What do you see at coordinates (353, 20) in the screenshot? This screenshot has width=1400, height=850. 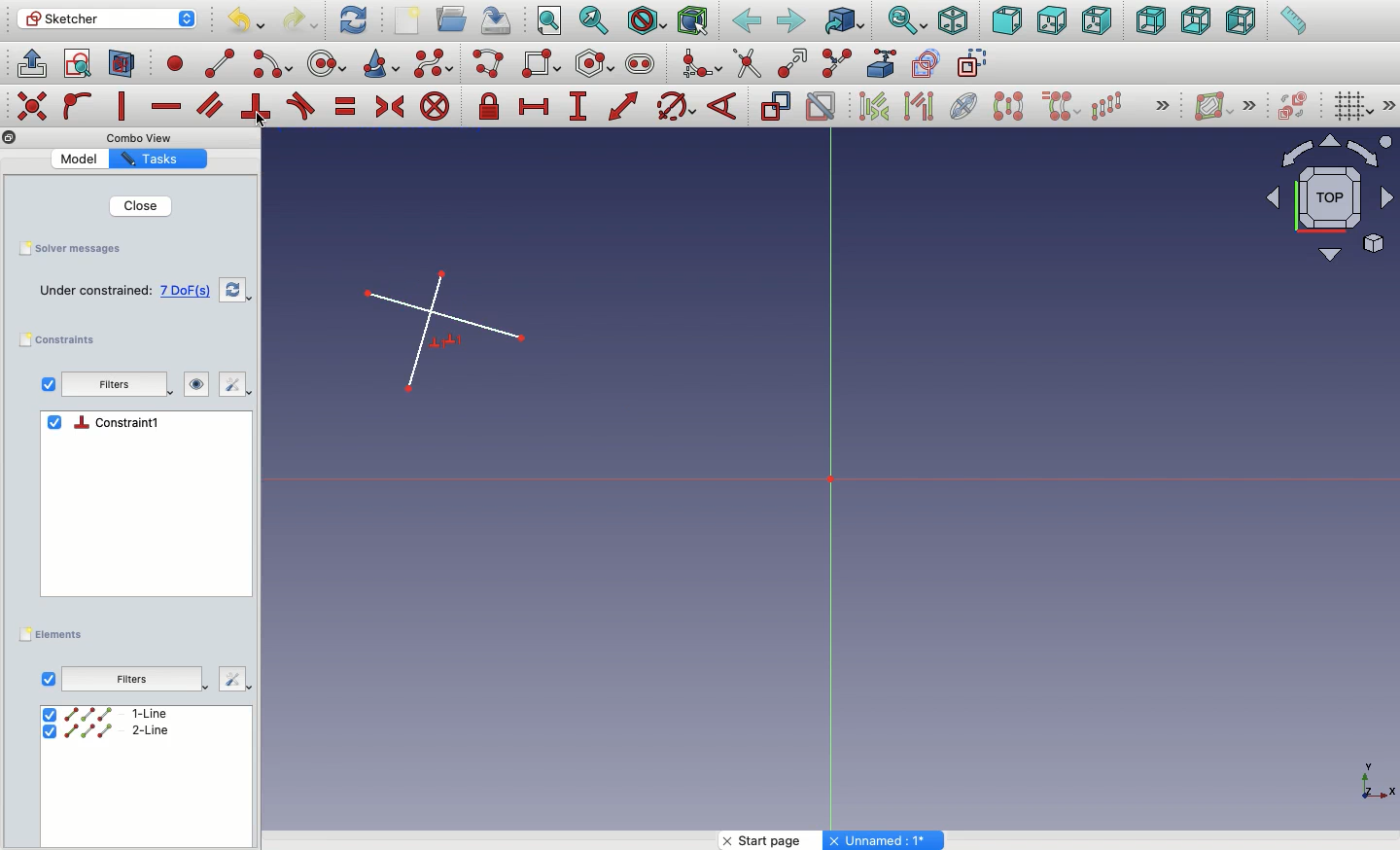 I see `Refresh` at bounding box center [353, 20].